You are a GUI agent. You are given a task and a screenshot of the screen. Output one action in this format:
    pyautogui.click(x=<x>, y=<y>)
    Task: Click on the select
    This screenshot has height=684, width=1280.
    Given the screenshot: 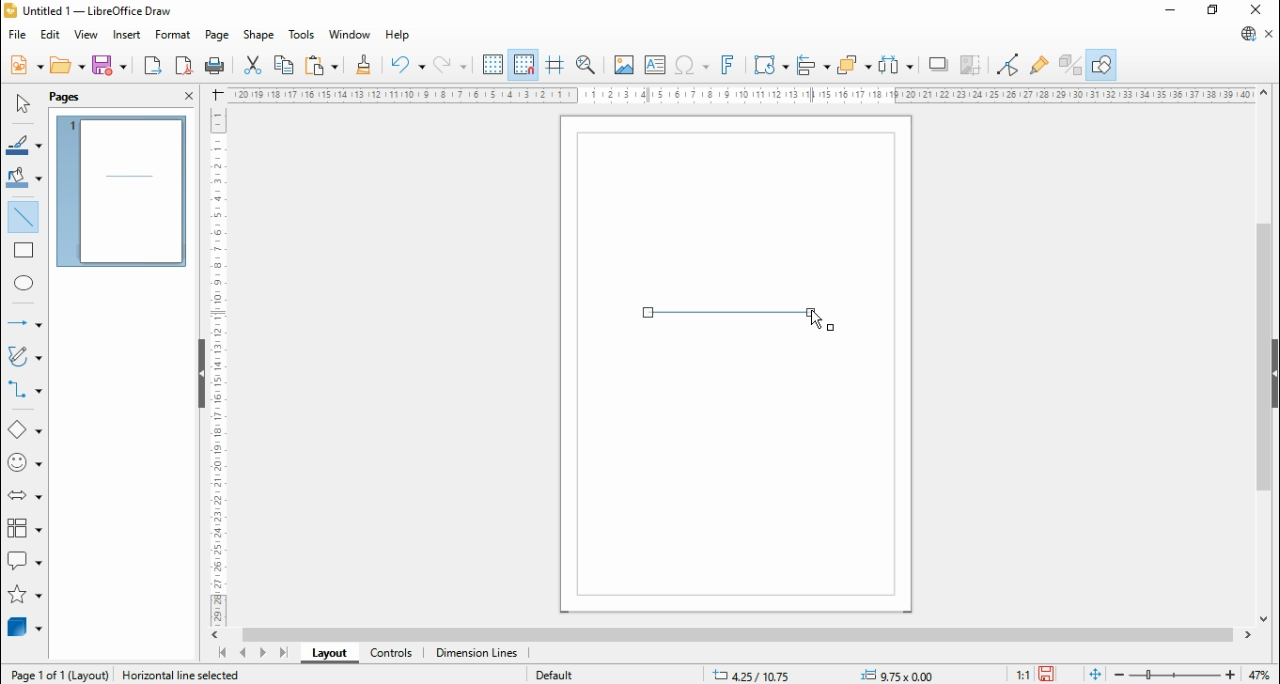 What is the action you would take?
    pyautogui.click(x=21, y=104)
    